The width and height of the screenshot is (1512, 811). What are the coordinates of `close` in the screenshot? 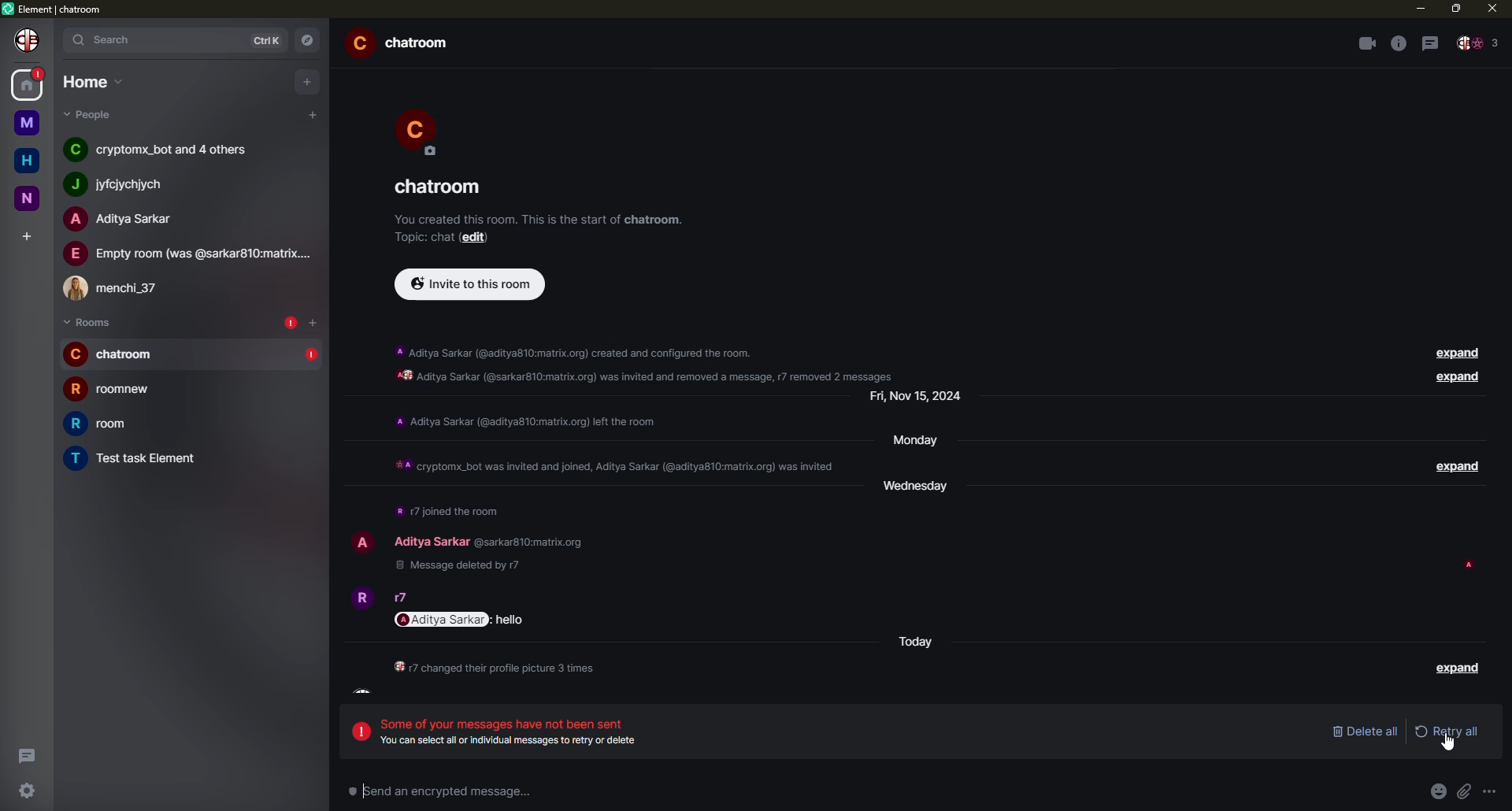 It's located at (1491, 9).